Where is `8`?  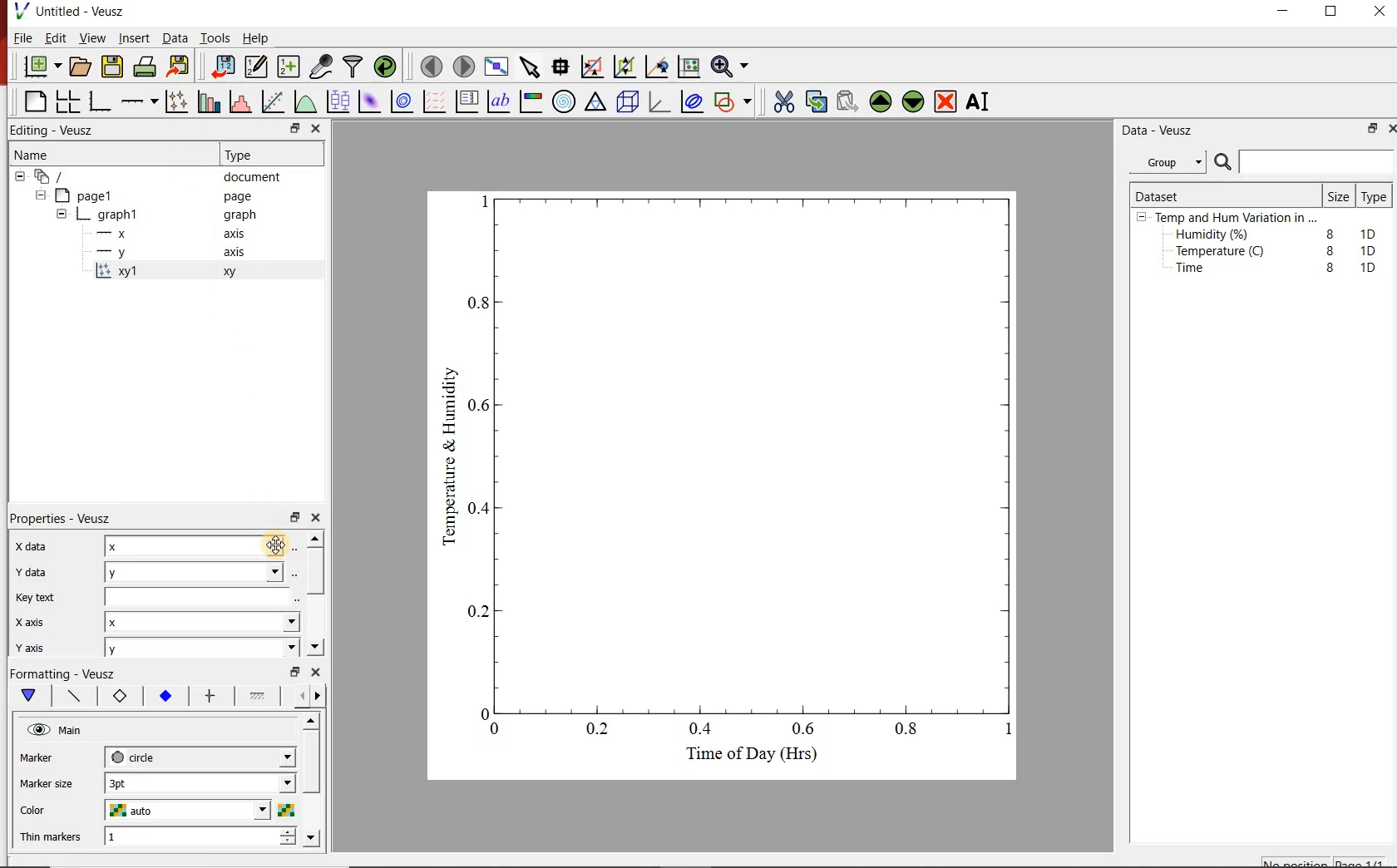 8 is located at coordinates (1327, 249).